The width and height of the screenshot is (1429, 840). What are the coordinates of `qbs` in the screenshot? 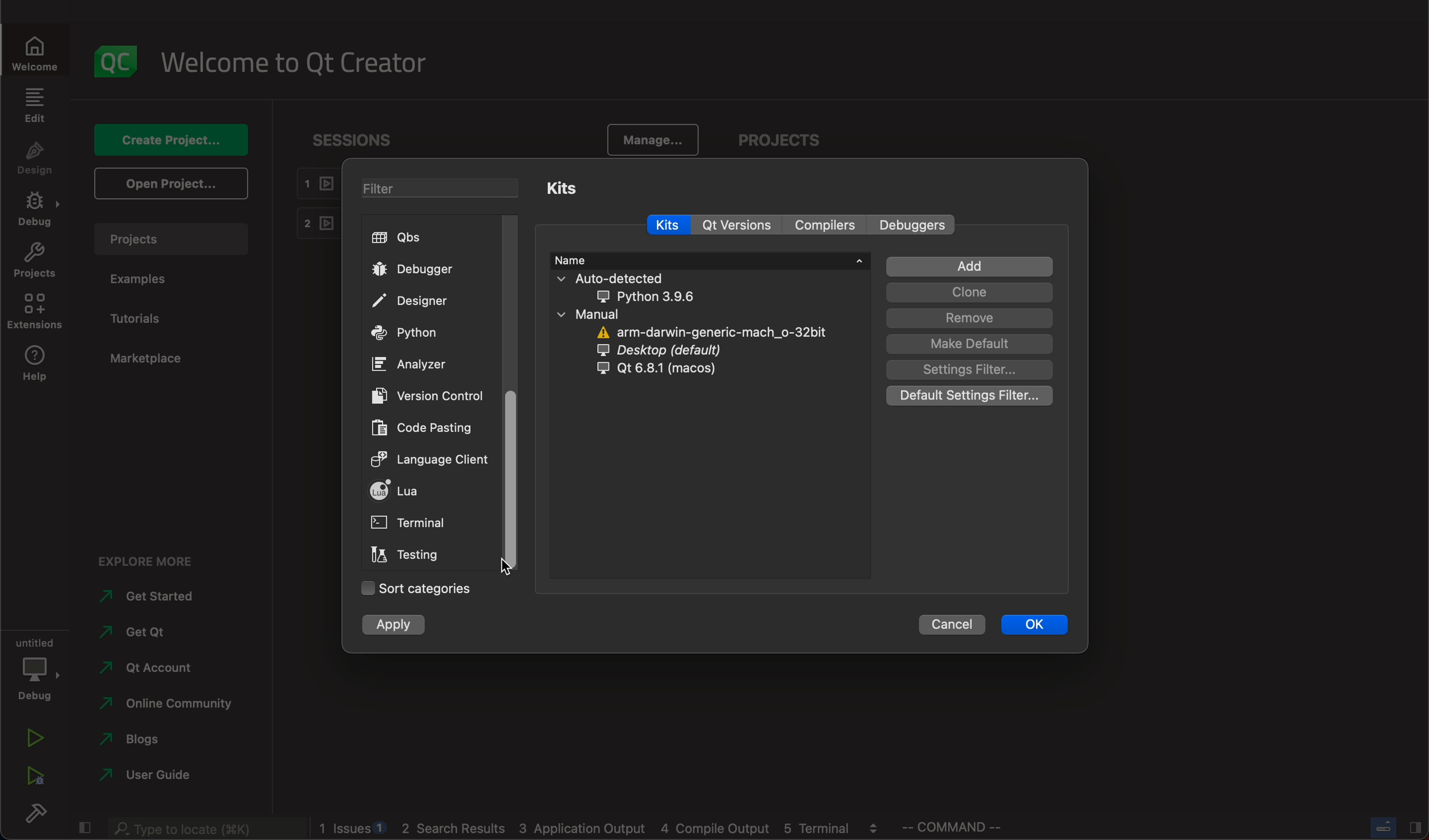 It's located at (412, 239).